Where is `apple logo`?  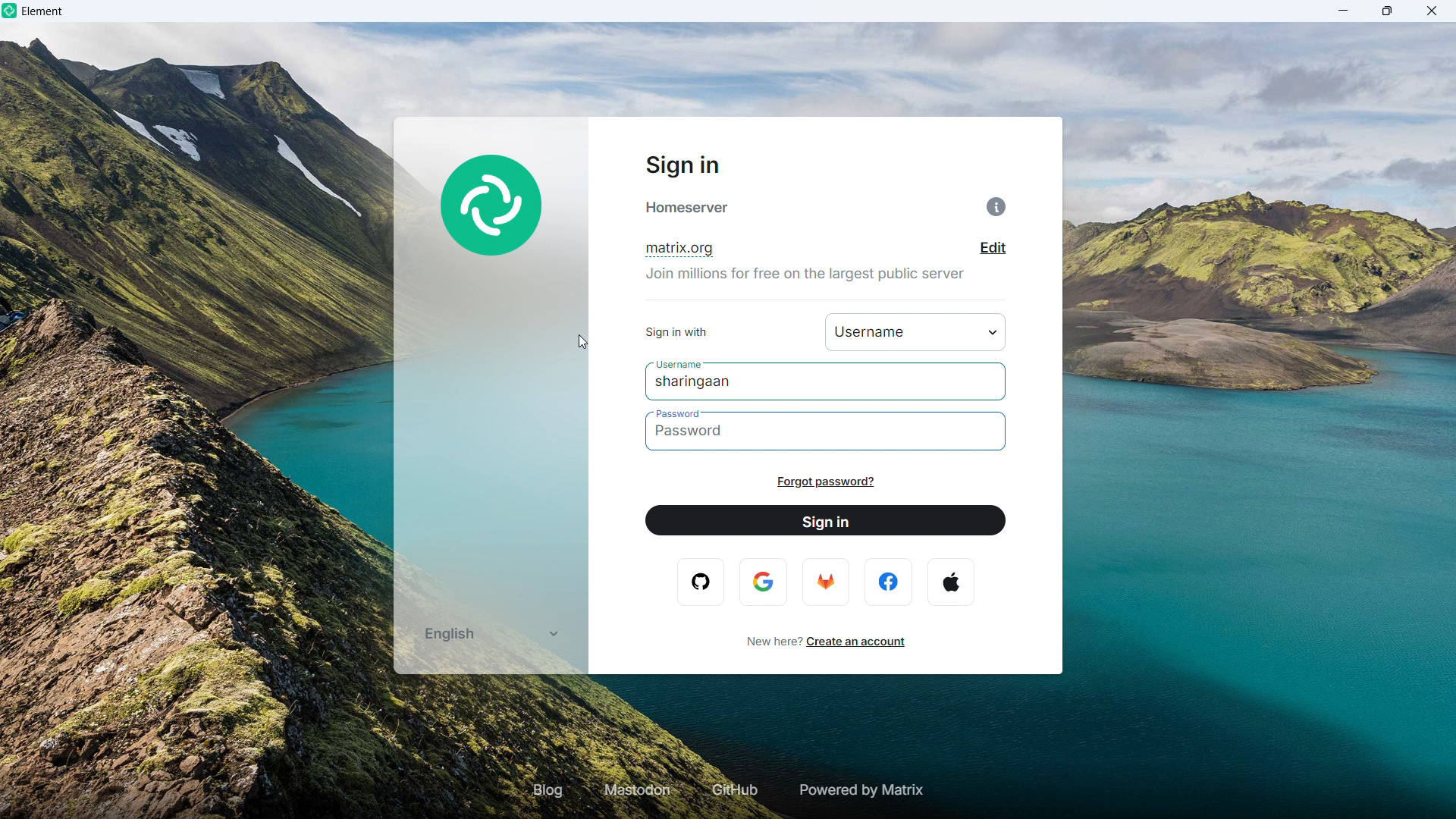 apple logo is located at coordinates (950, 582).